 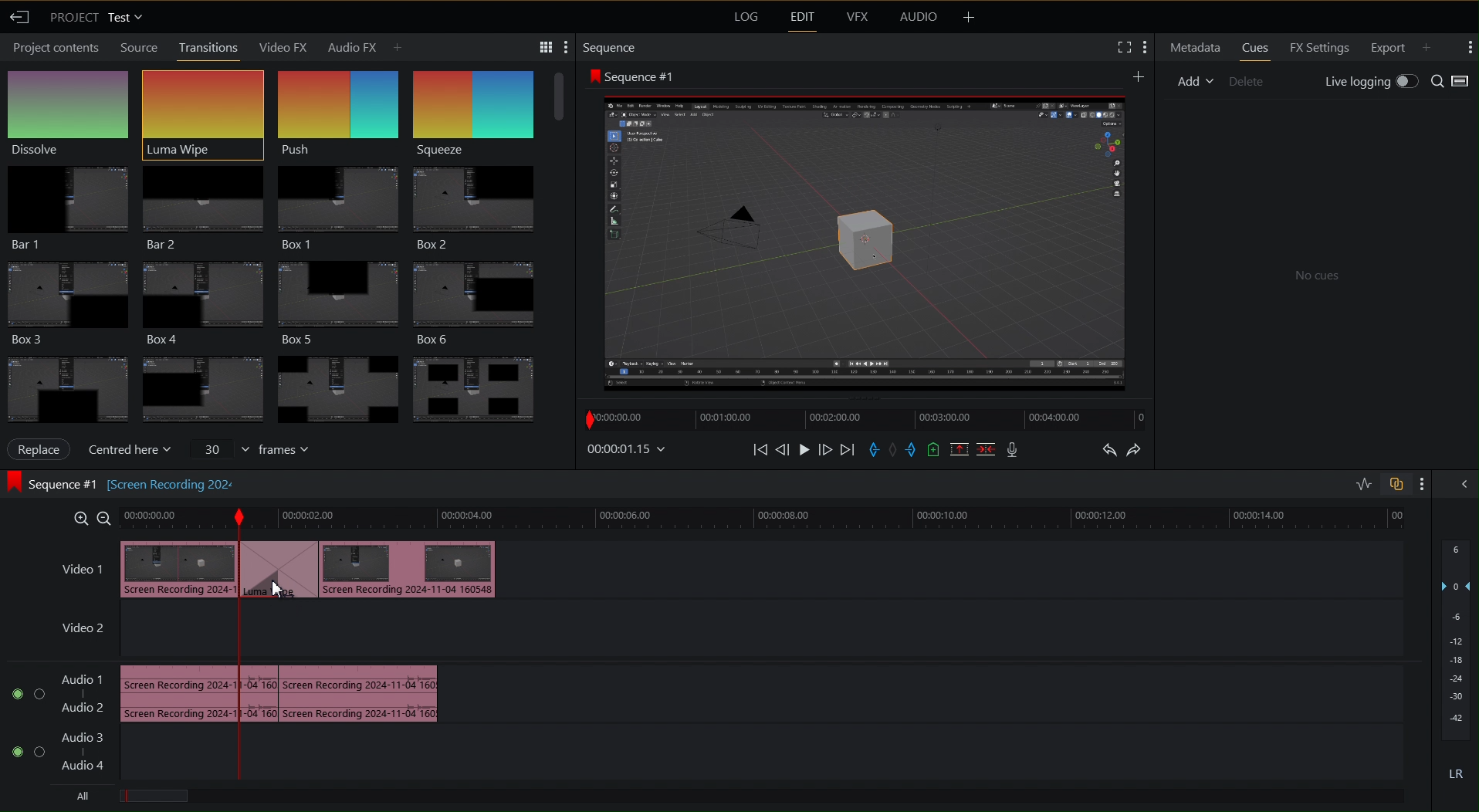 I want to click on Transitions, so click(x=208, y=47).